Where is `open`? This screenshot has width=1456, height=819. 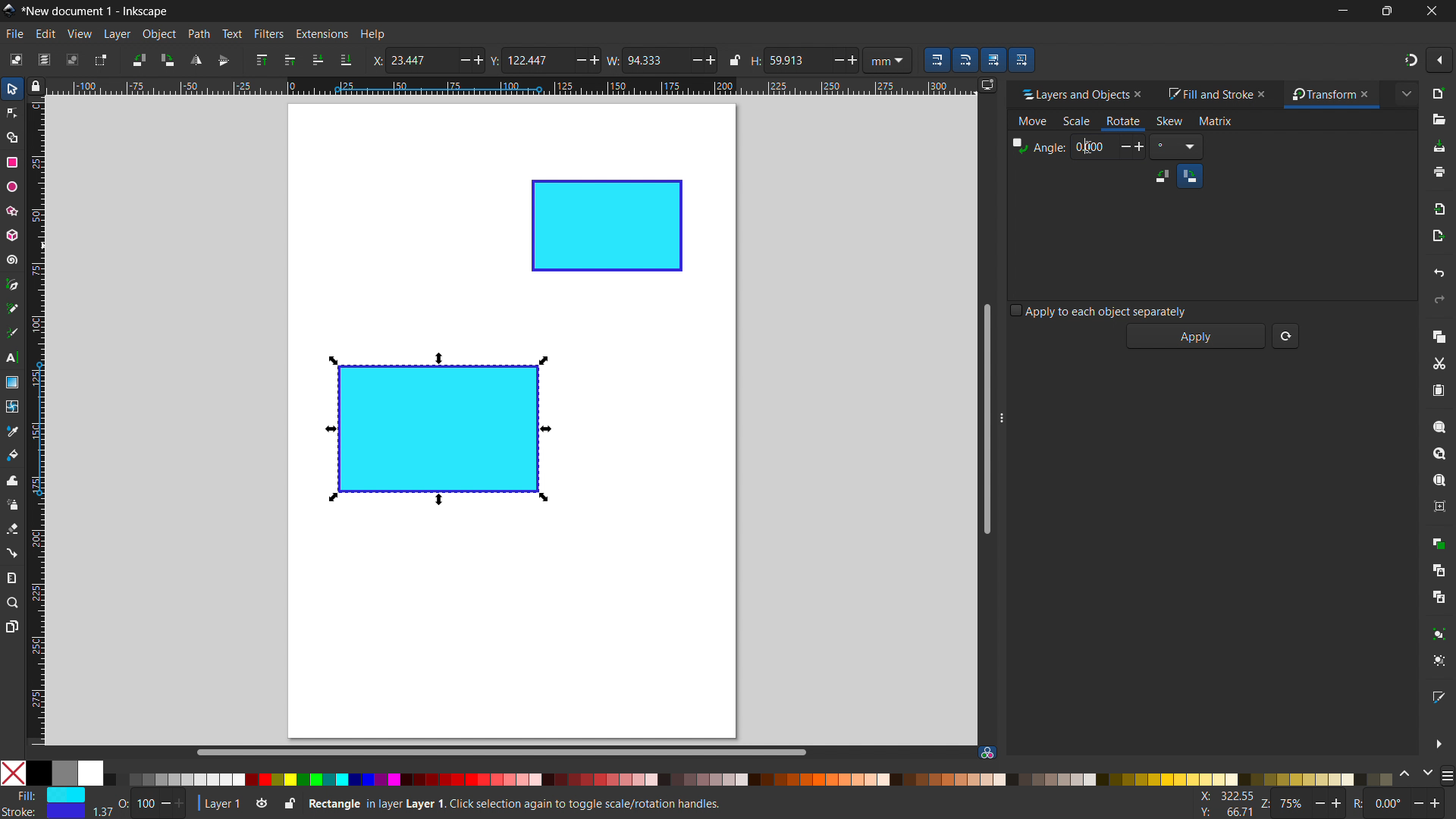 open is located at coordinates (1439, 120).